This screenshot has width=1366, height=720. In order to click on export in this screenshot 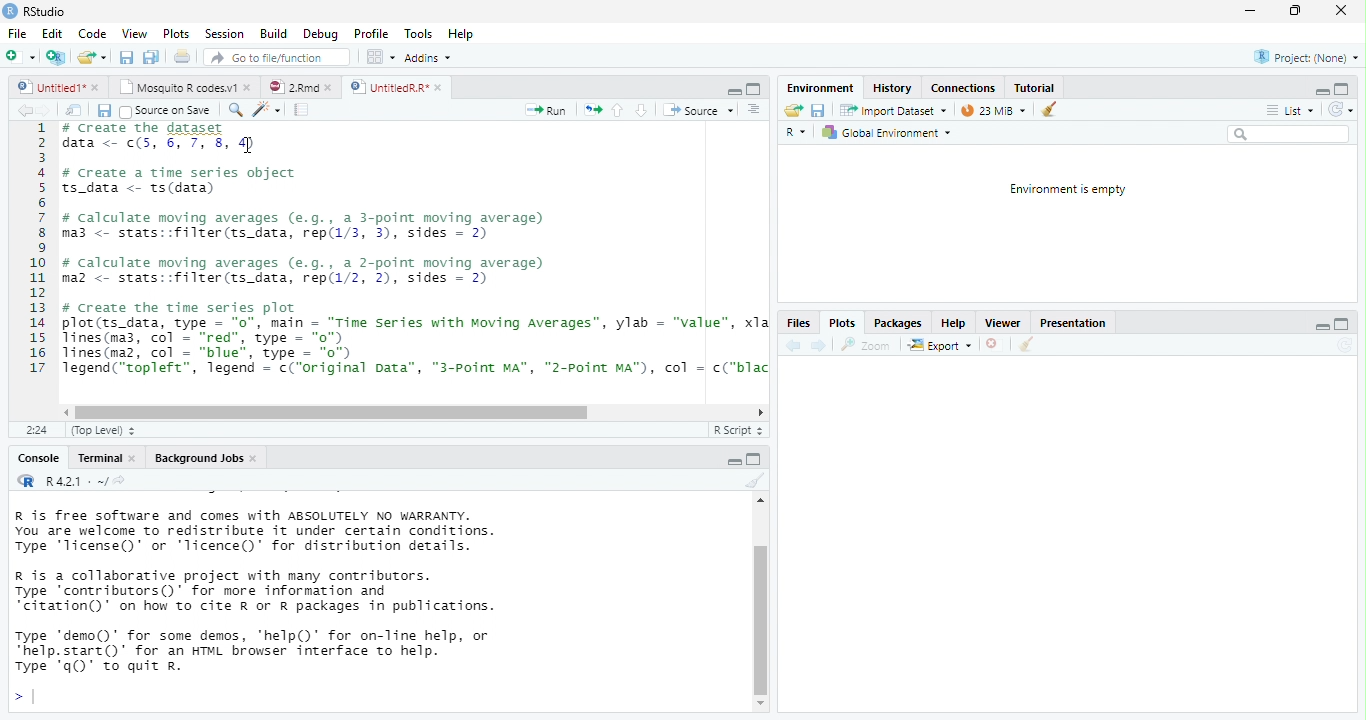, I will do `click(939, 346)`.